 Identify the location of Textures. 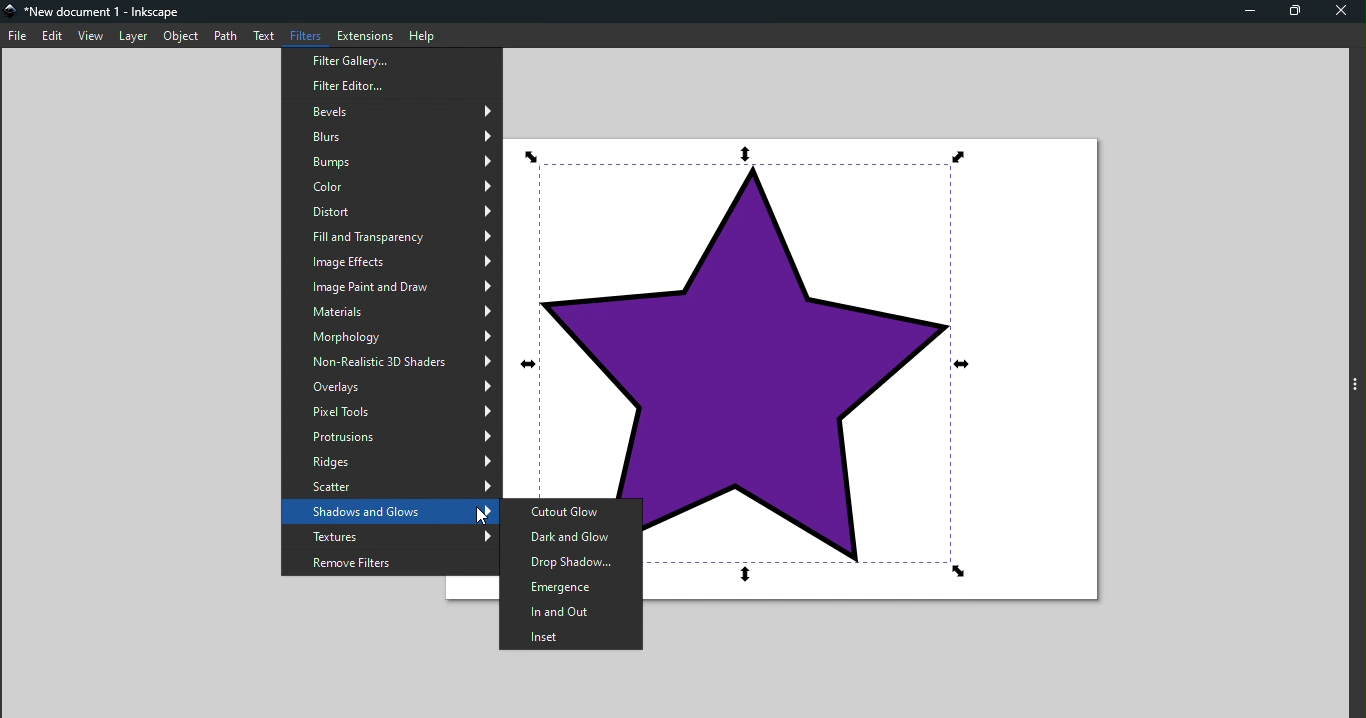
(391, 537).